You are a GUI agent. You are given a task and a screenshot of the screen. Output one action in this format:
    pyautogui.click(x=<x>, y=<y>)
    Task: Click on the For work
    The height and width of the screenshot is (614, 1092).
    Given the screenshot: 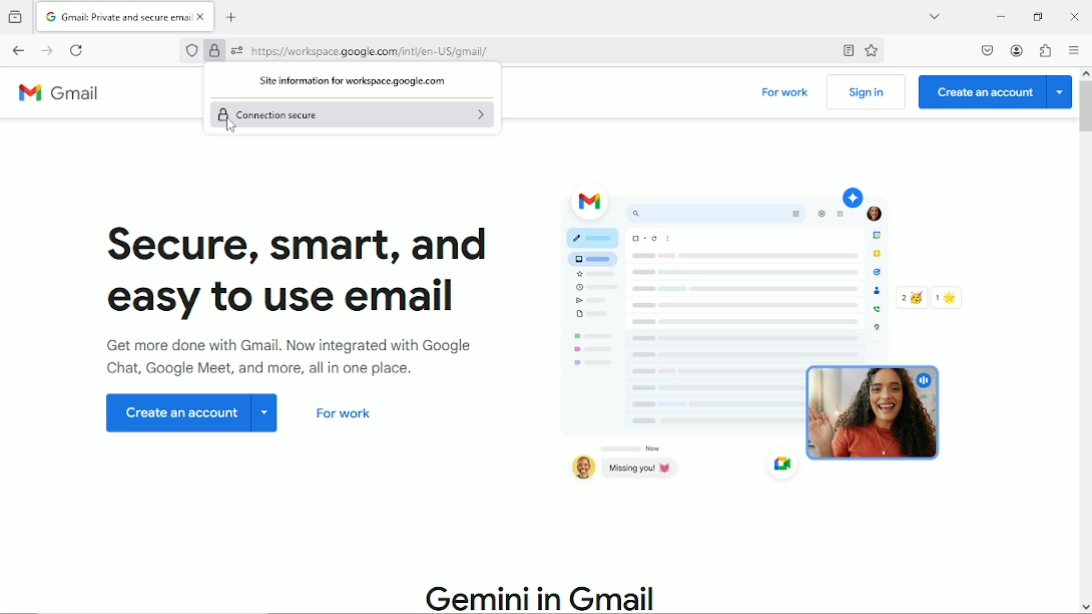 What is the action you would take?
    pyautogui.click(x=337, y=412)
    